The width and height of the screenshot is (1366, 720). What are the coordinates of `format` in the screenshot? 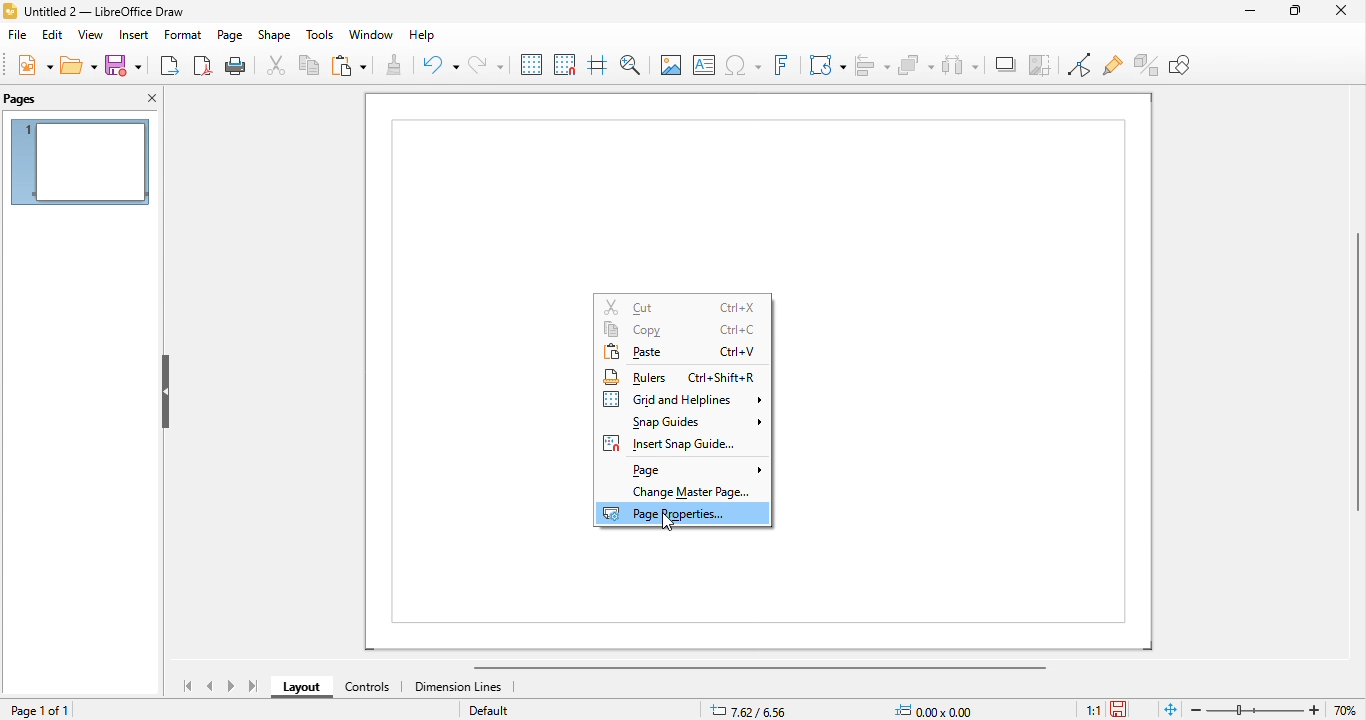 It's located at (183, 35).